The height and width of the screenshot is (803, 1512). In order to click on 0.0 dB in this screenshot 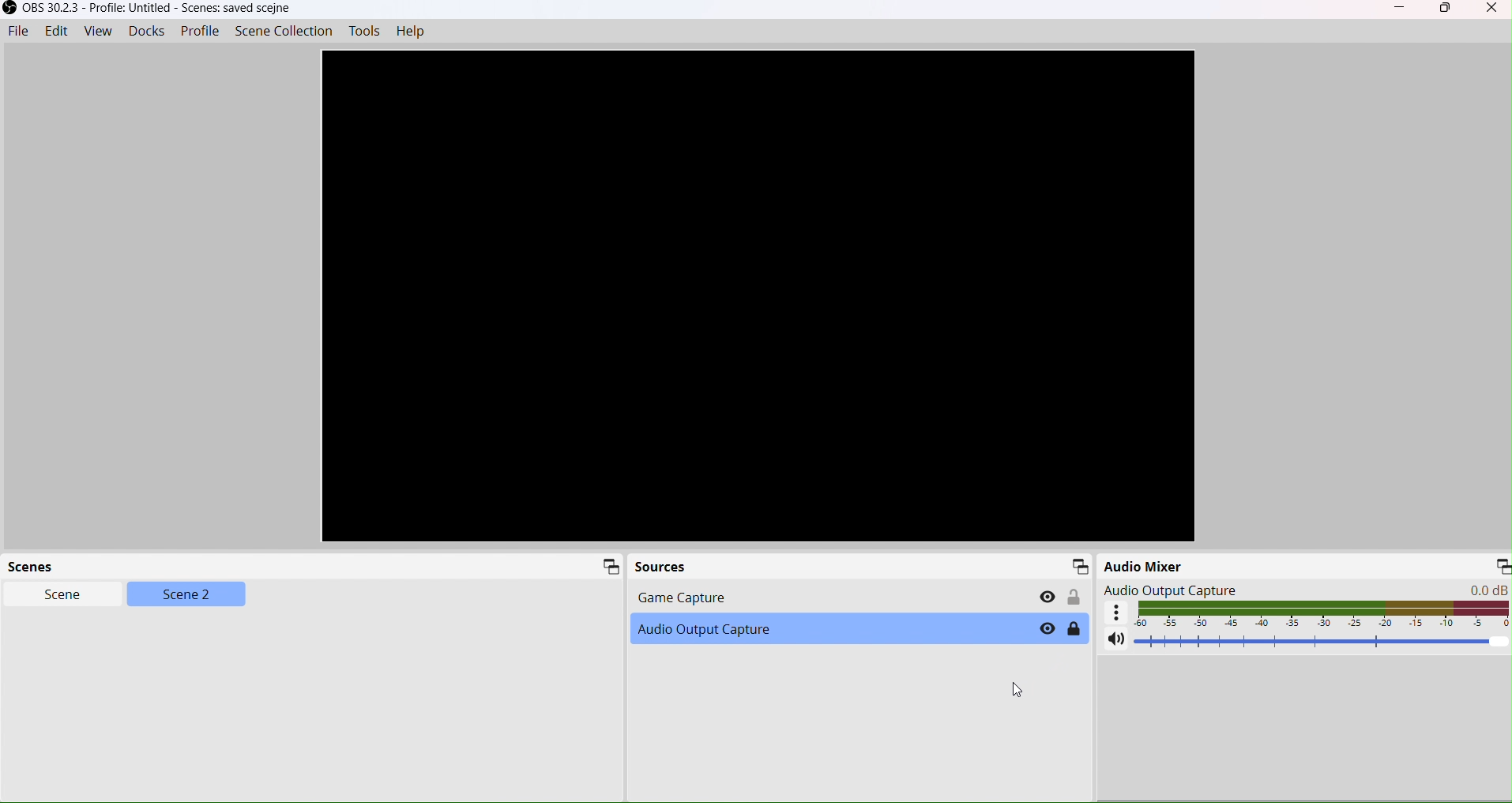, I will do `click(1469, 589)`.